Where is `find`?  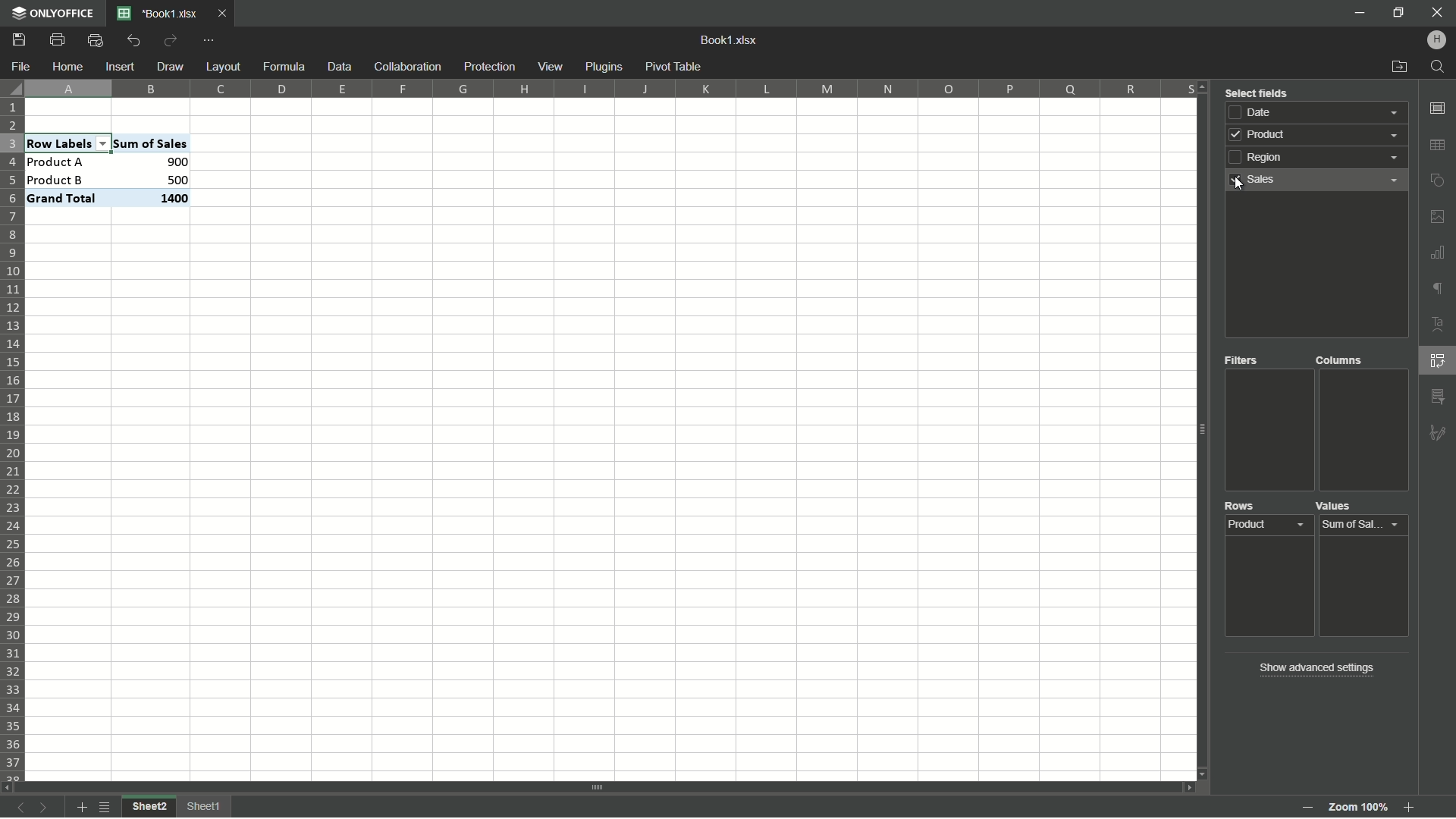
find is located at coordinates (1439, 67).